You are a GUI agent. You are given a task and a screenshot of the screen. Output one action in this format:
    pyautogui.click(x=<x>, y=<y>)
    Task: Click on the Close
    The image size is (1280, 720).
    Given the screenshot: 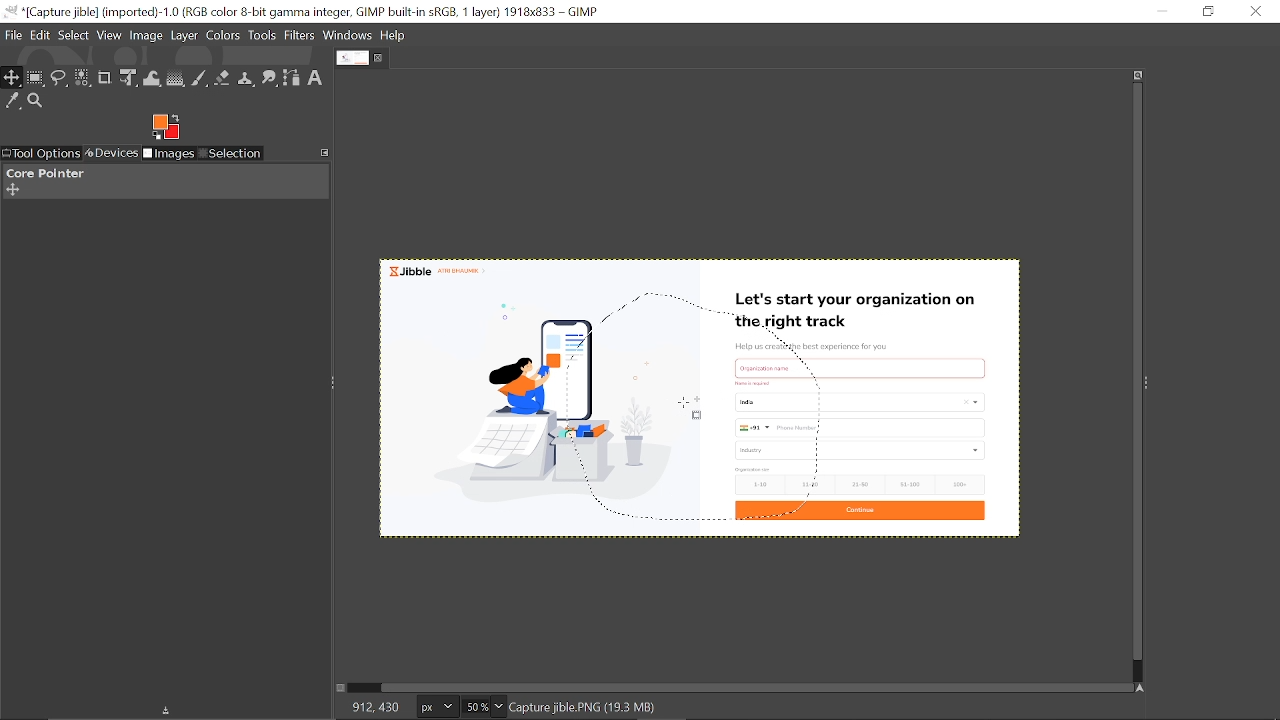 What is the action you would take?
    pyautogui.click(x=1257, y=11)
    